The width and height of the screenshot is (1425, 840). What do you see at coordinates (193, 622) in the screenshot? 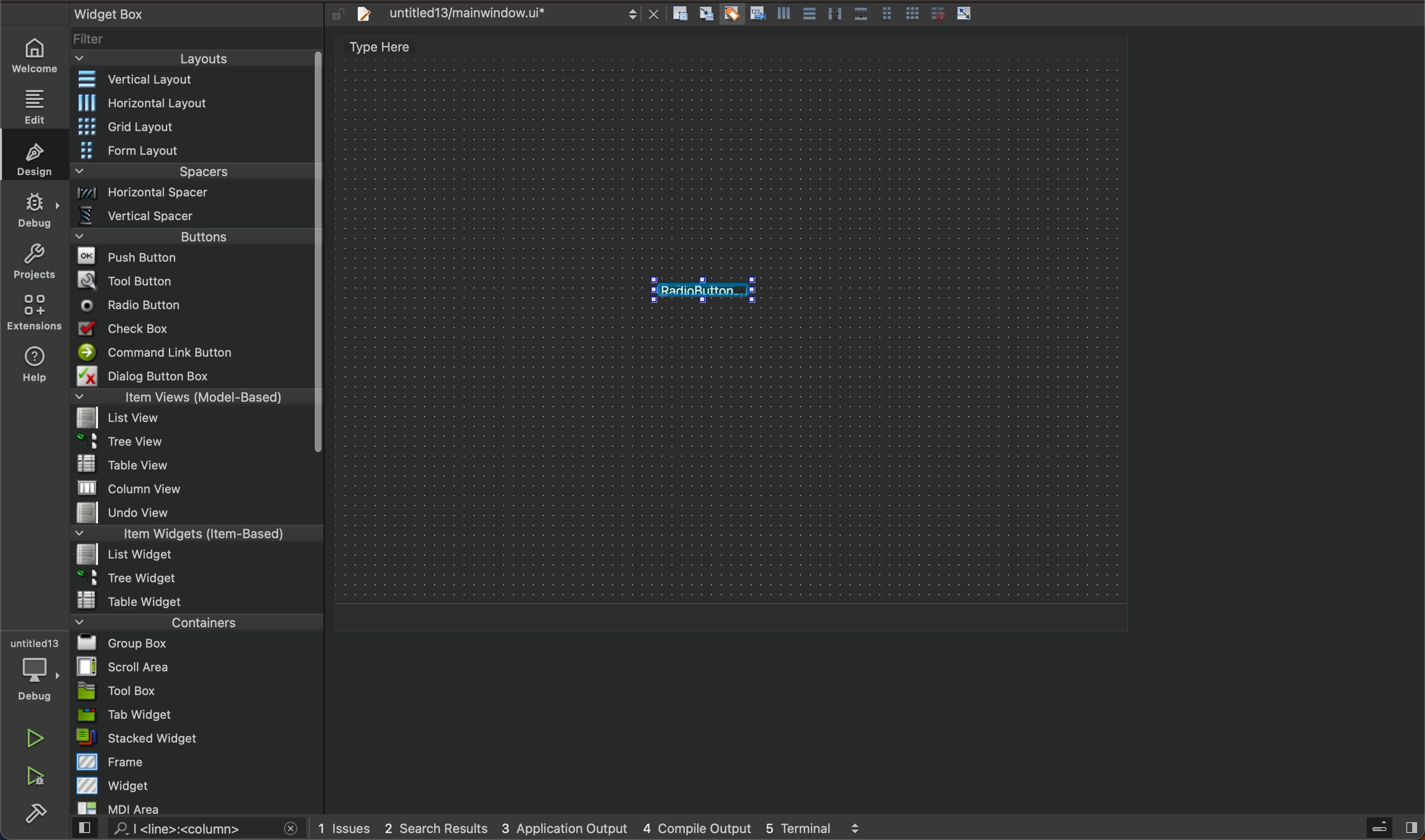
I see `containers` at bounding box center [193, 622].